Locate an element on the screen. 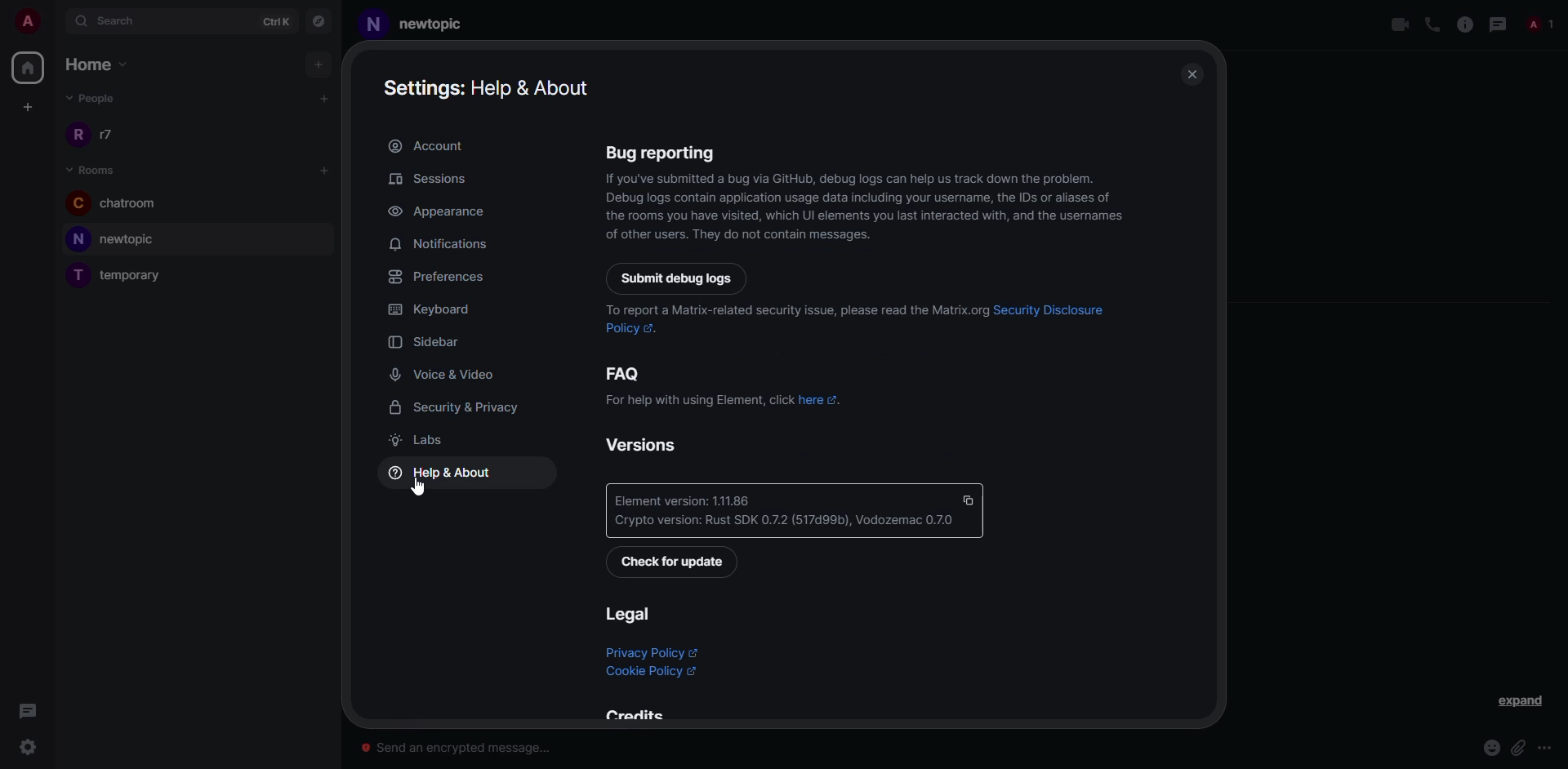 The image size is (1568, 769). cursor is located at coordinates (424, 492).